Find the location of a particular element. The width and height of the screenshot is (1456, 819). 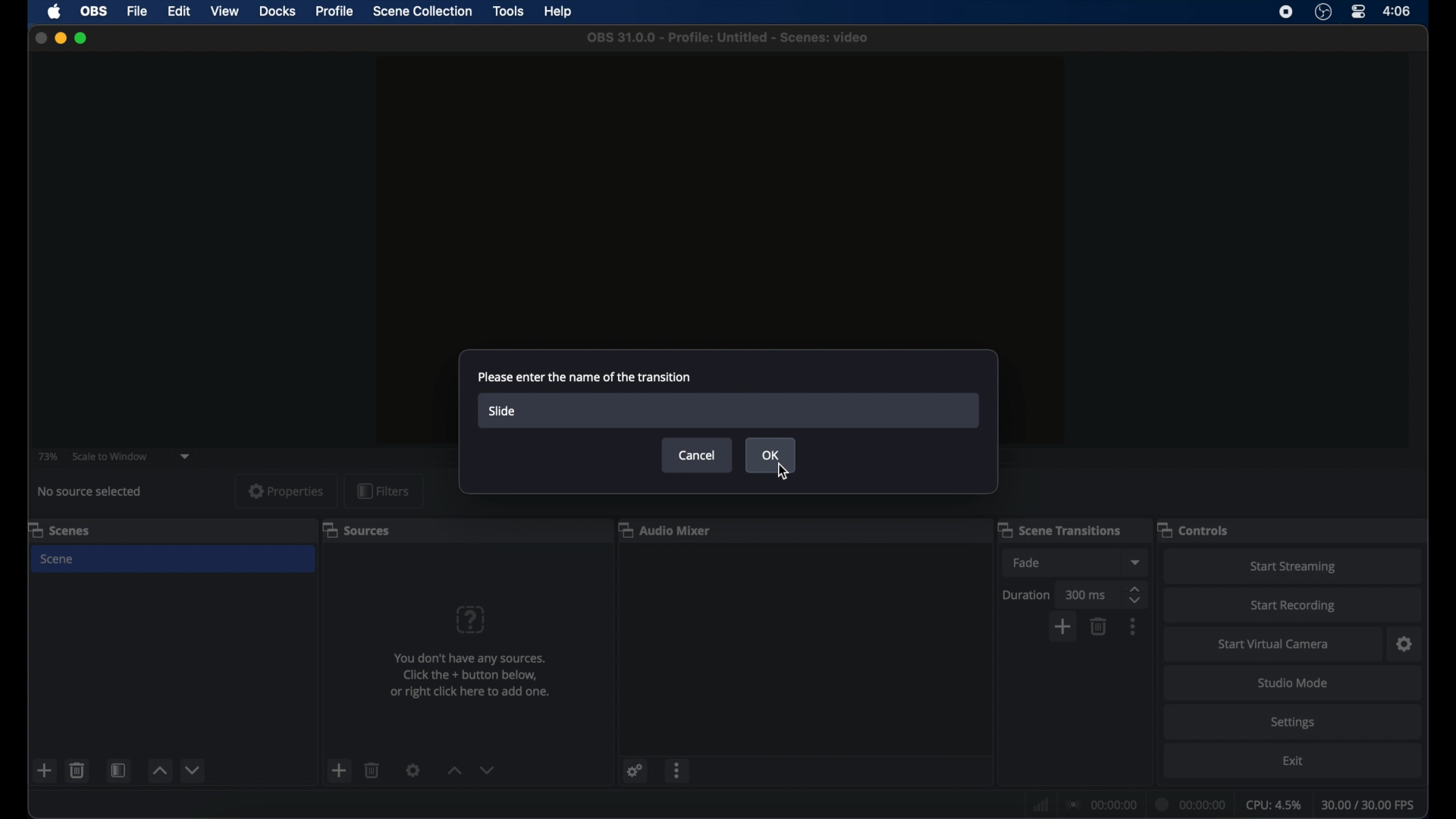

dropdown is located at coordinates (1137, 563).